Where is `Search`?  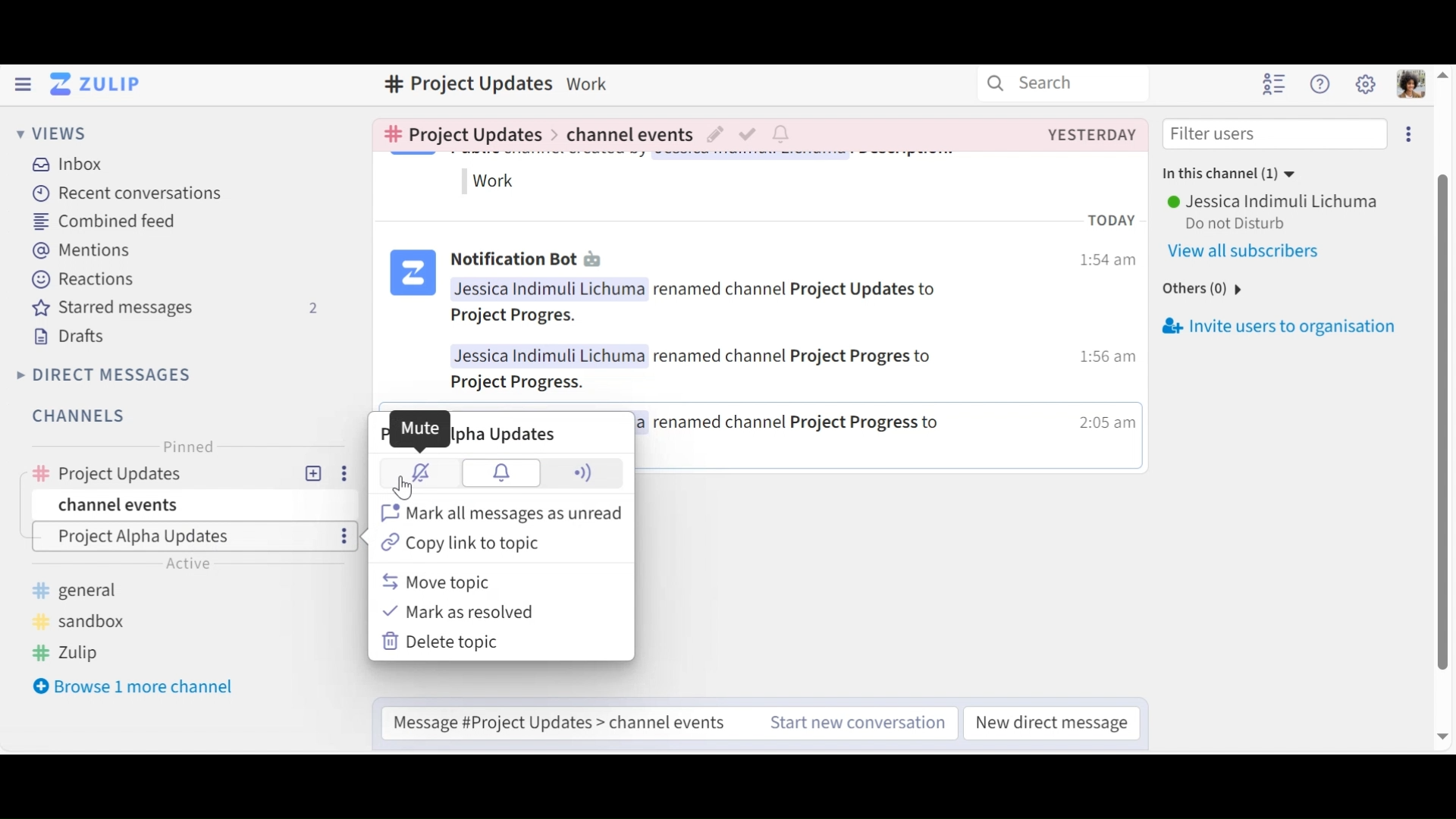 Search is located at coordinates (1042, 82).